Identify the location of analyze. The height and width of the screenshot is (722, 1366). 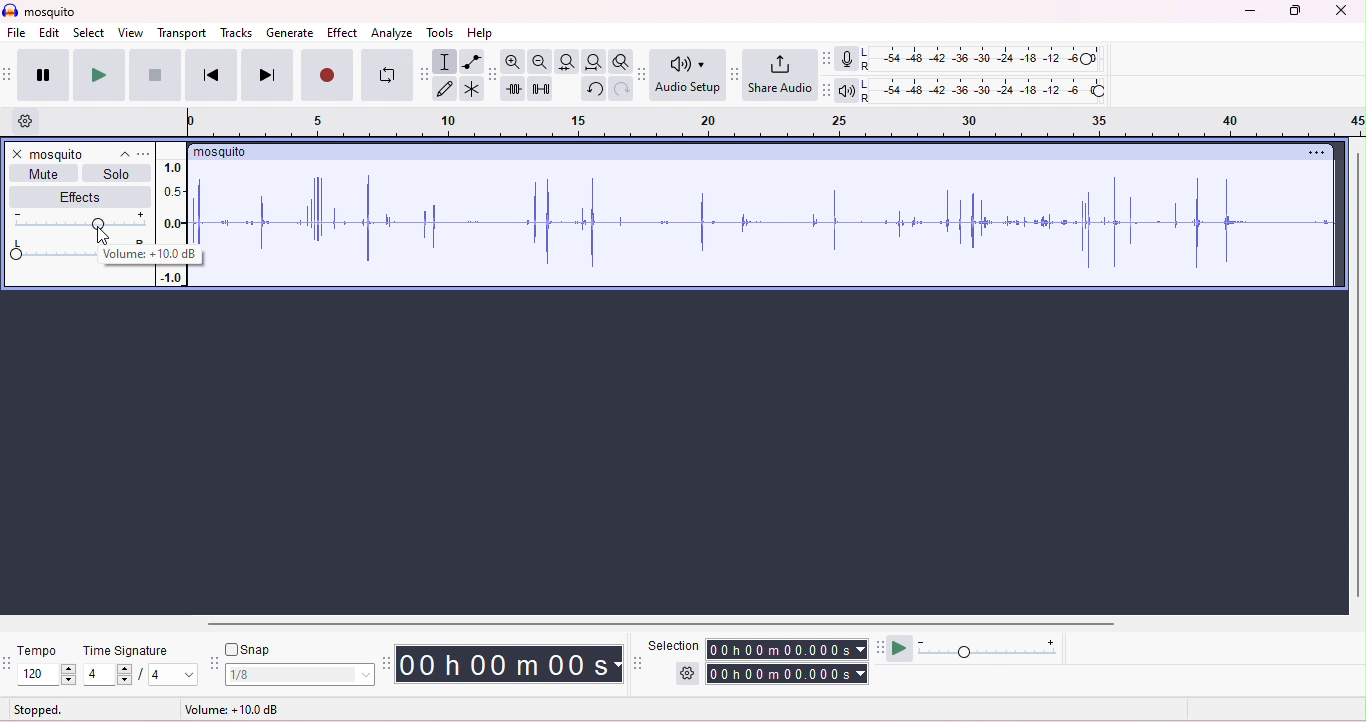
(392, 32).